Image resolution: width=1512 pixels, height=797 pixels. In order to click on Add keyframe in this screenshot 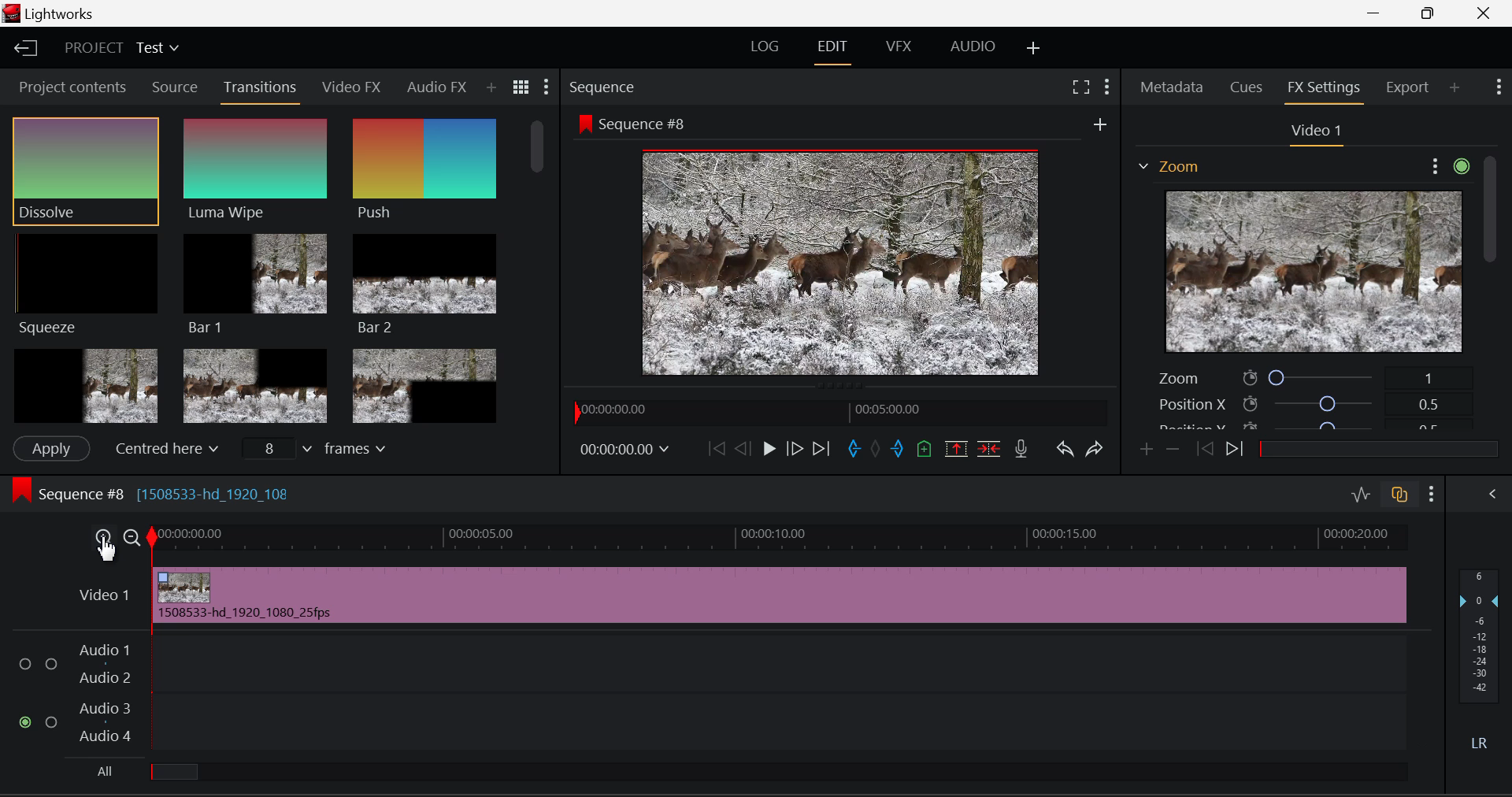, I will do `click(1147, 448)`.